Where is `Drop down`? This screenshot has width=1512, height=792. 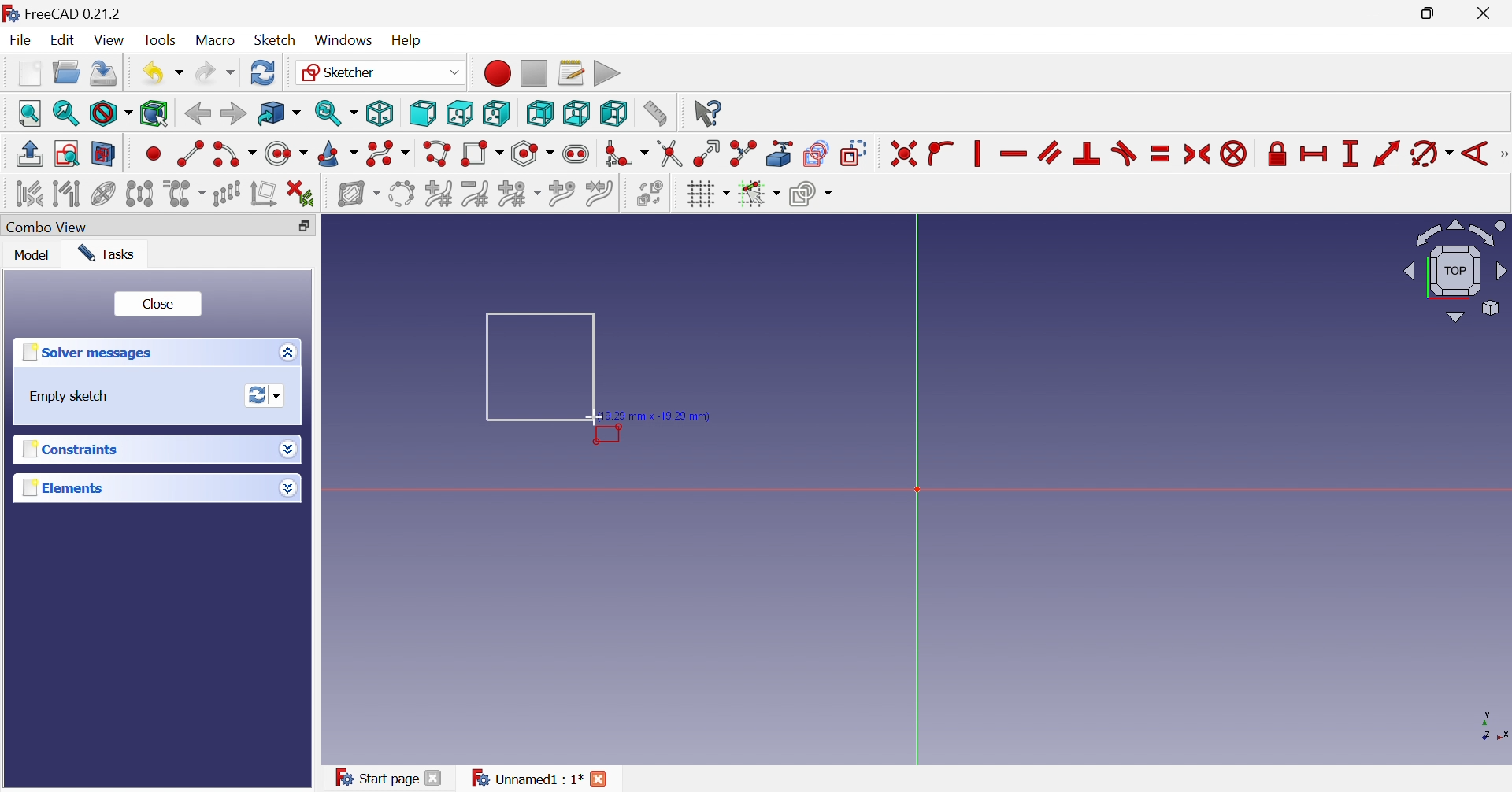 Drop down is located at coordinates (287, 447).